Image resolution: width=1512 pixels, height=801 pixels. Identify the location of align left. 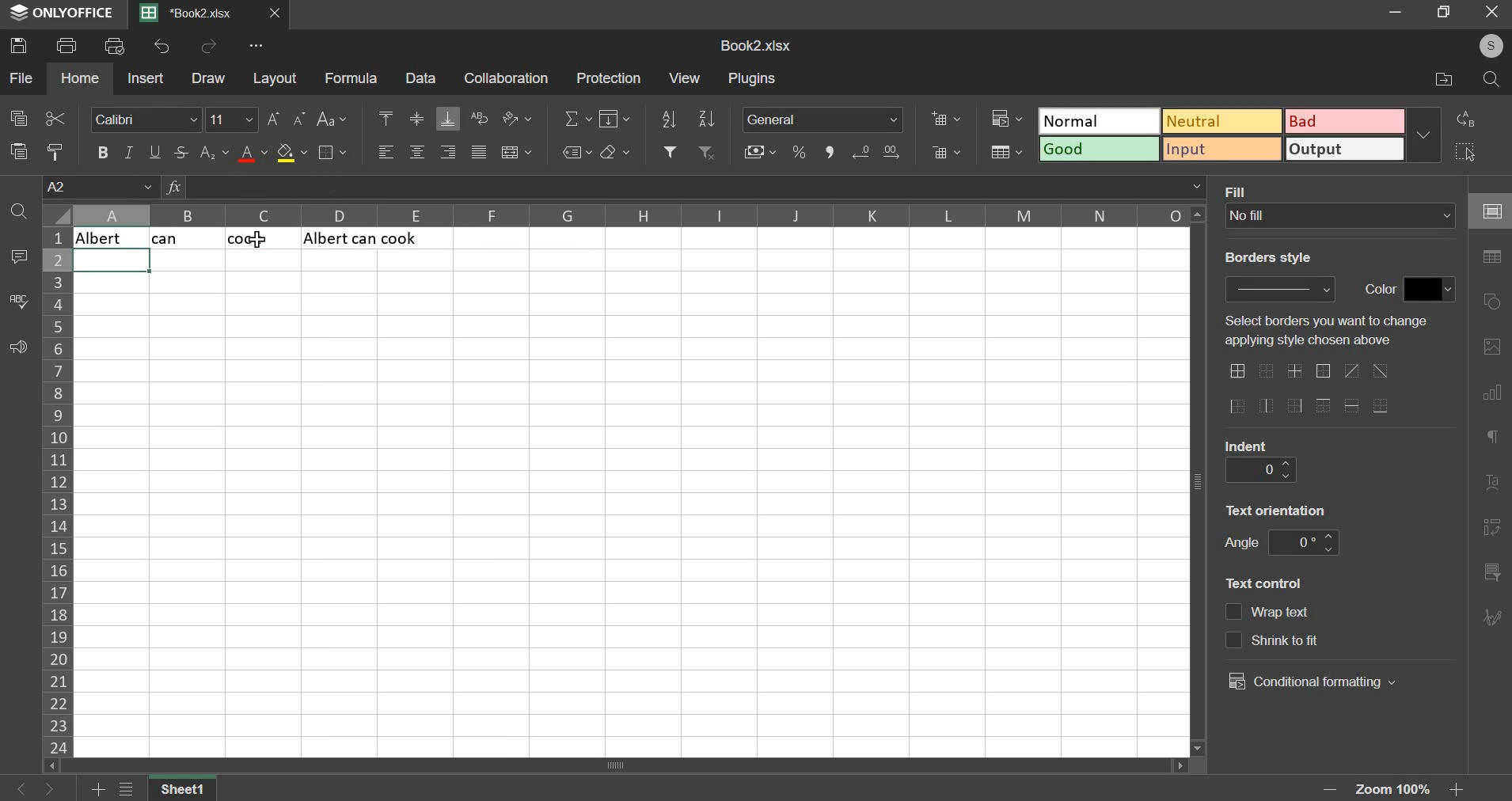
(382, 151).